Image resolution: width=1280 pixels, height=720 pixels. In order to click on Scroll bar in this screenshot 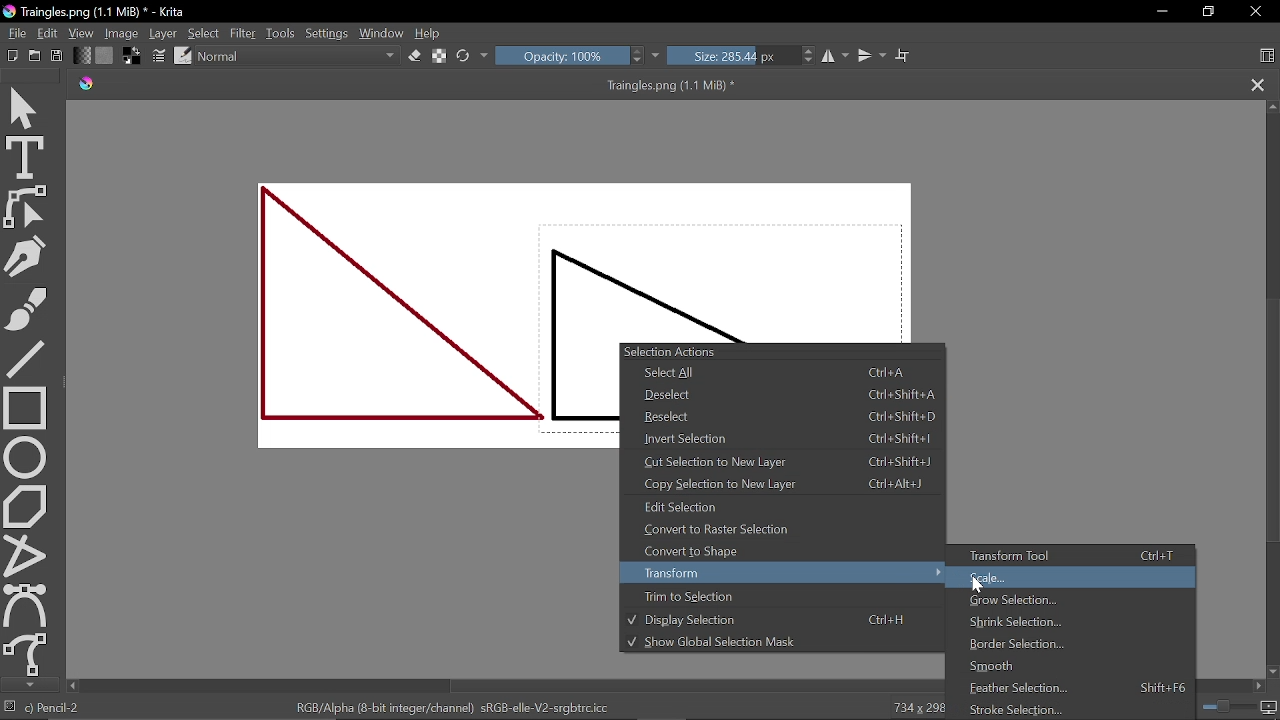, I will do `click(496, 686)`.